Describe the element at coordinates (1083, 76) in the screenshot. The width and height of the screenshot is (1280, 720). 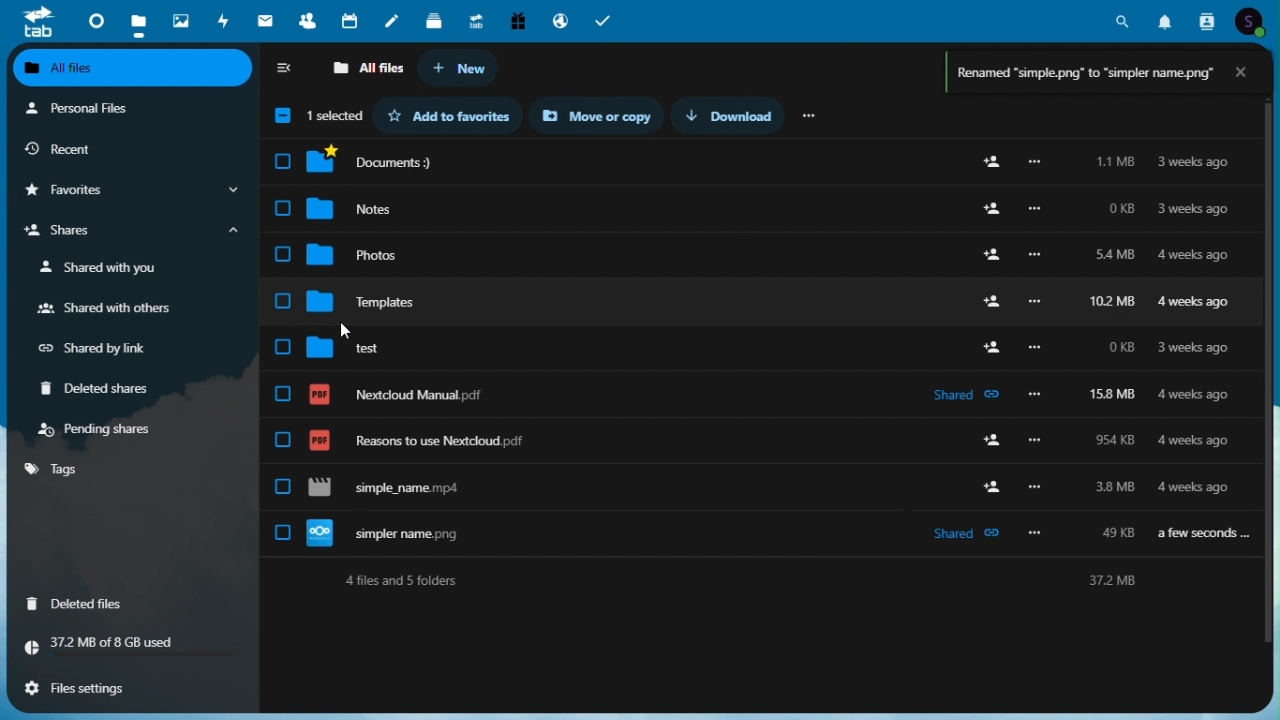
I see `file rename confirmation` at that location.